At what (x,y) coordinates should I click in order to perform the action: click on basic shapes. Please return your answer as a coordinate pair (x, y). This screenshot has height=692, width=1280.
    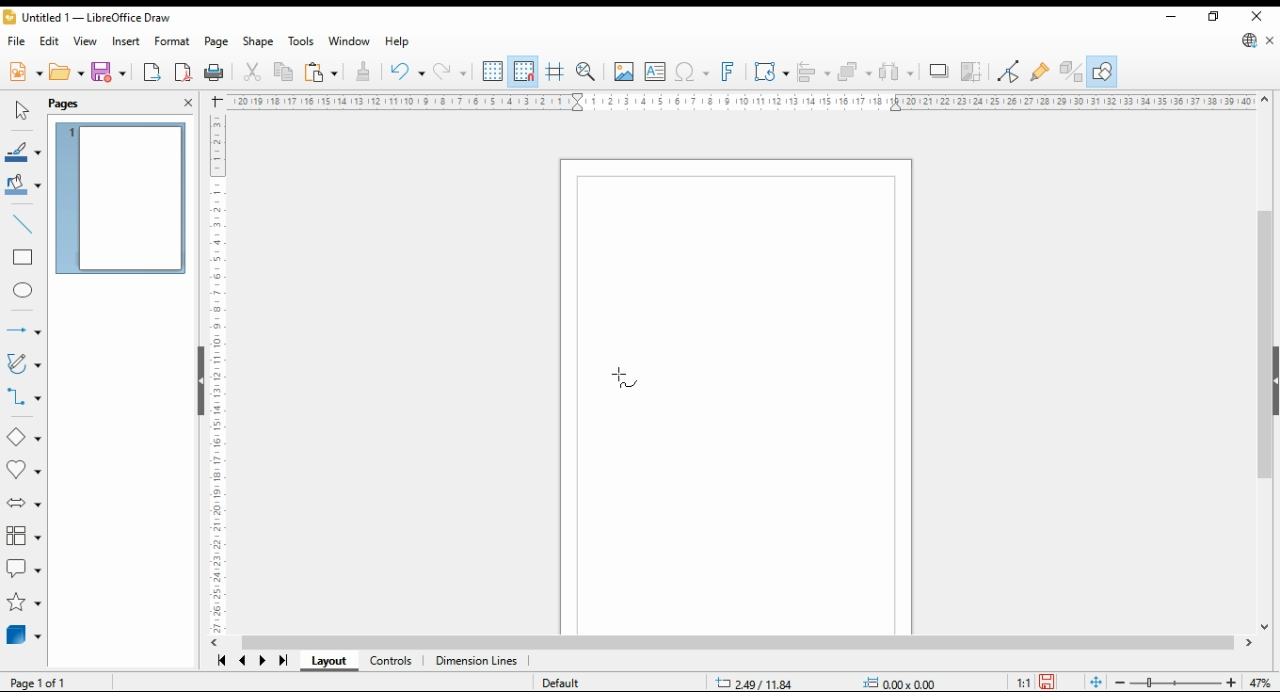
    Looking at the image, I should click on (23, 435).